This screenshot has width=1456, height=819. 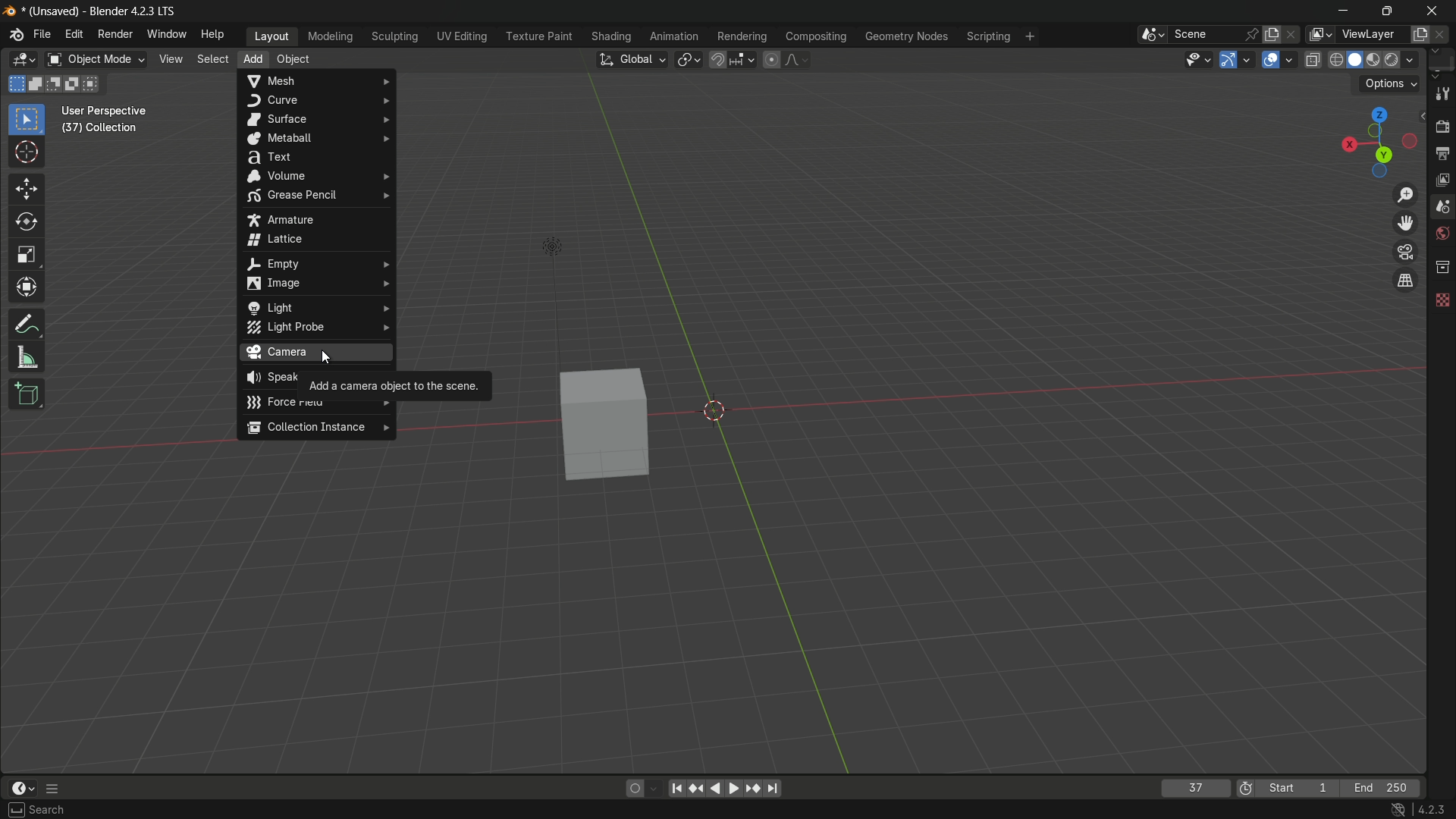 What do you see at coordinates (1271, 60) in the screenshot?
I see `show overlay` at bounding box center [1271, 60].